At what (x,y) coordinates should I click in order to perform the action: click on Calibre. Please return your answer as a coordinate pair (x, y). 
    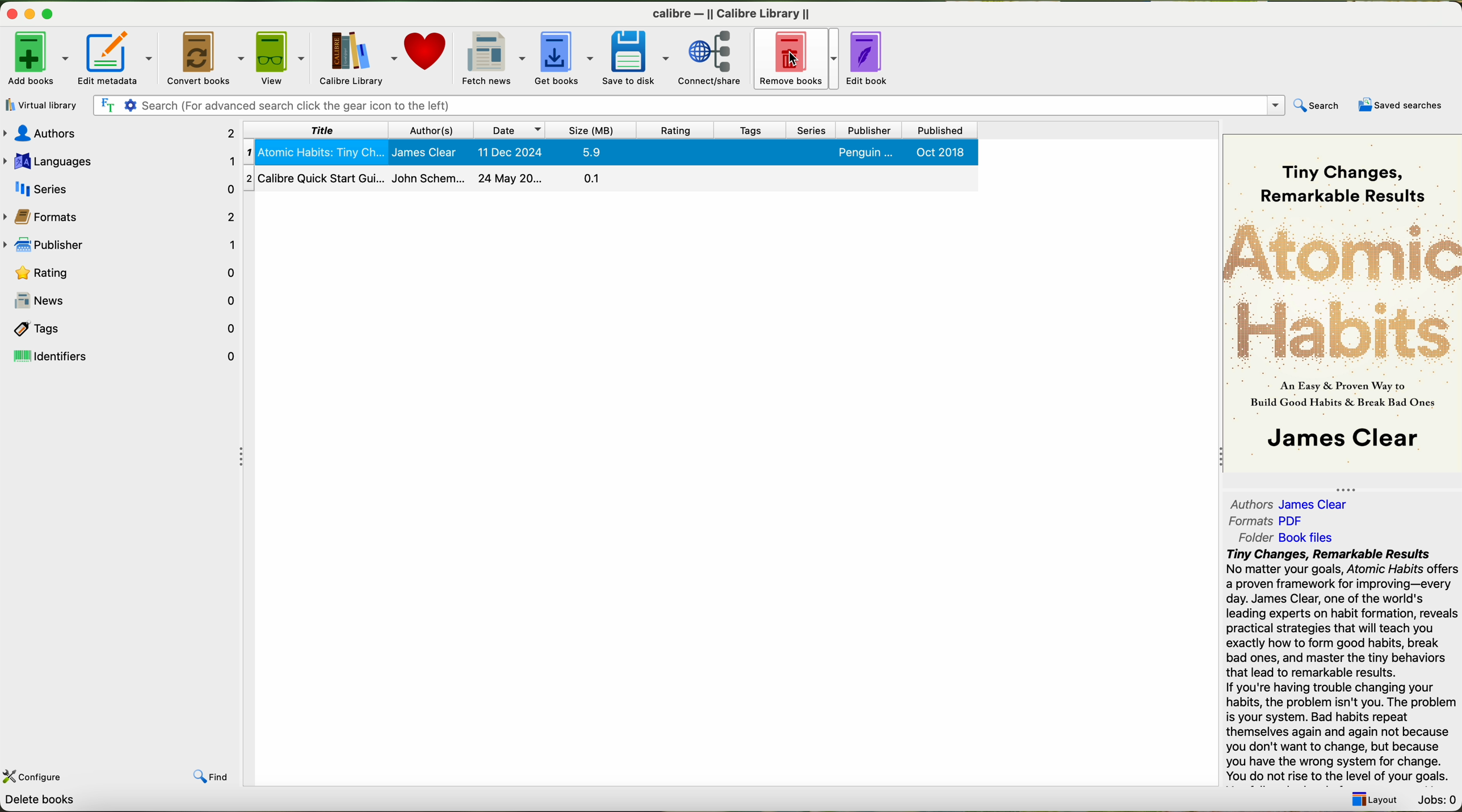
    Looking at the image, I should click on (731, 14).